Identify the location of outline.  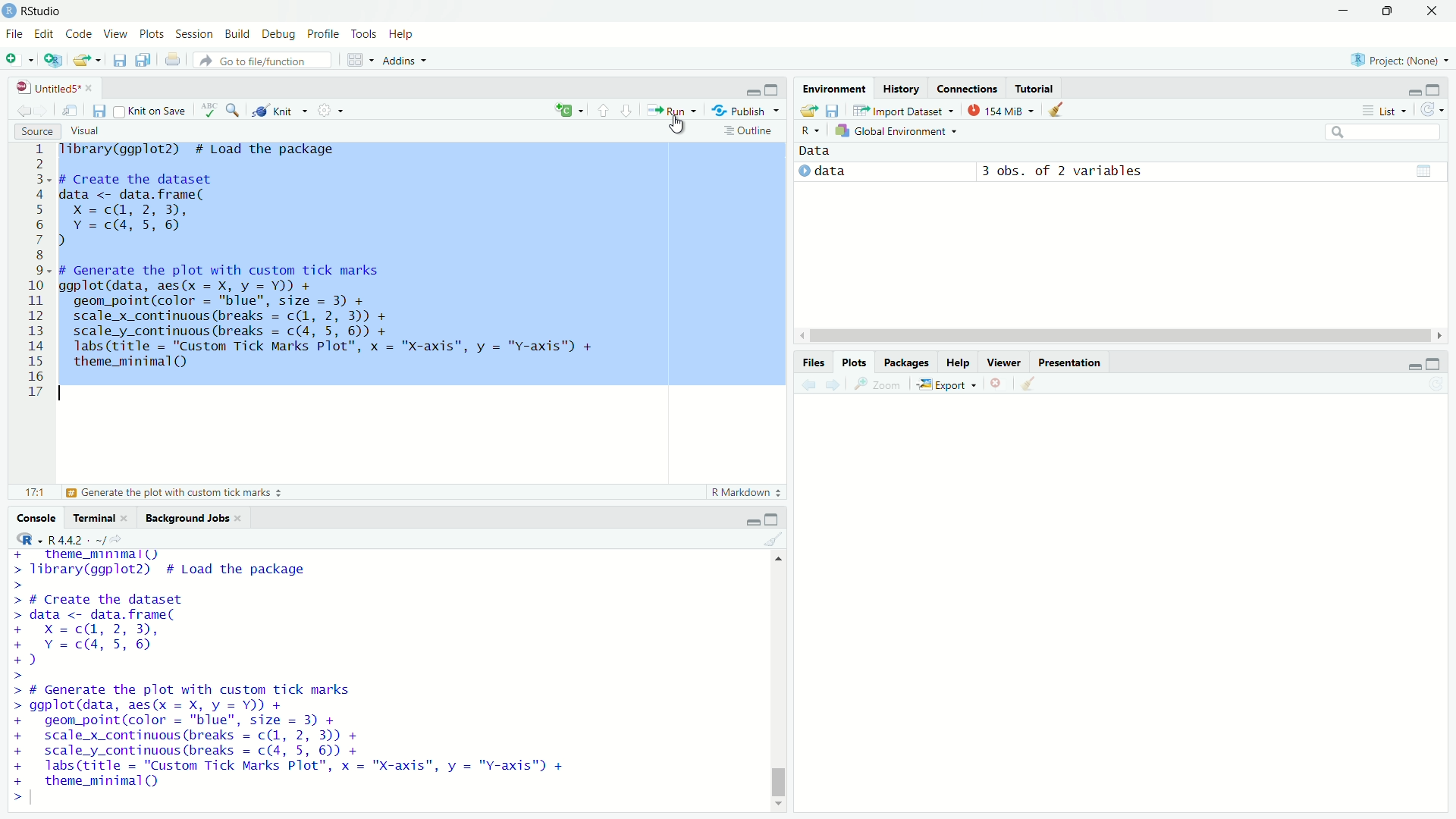
(751, 132).